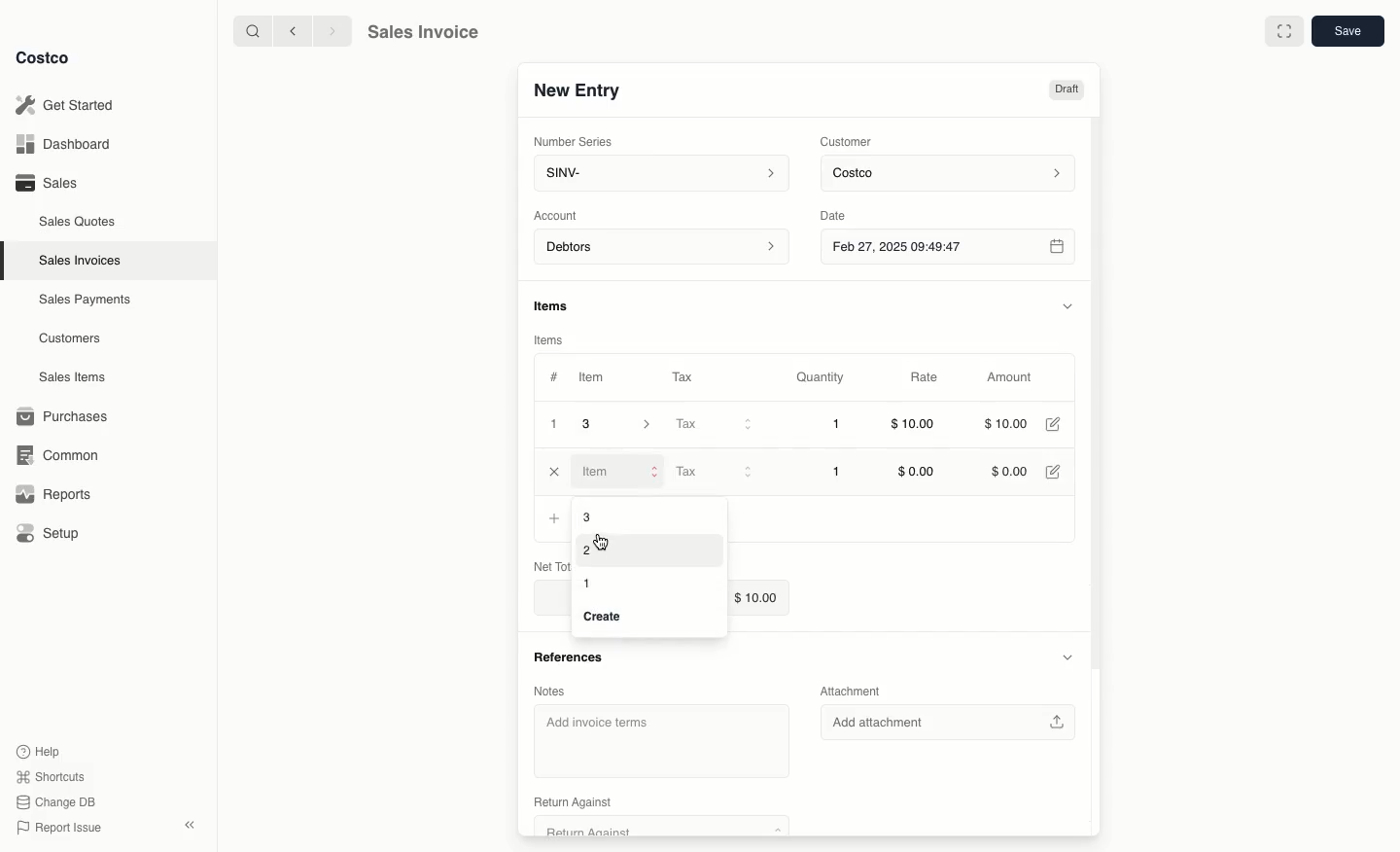 This screenshot has width=1400, height=852. I want to click on $0.00, so click(1009, 473).